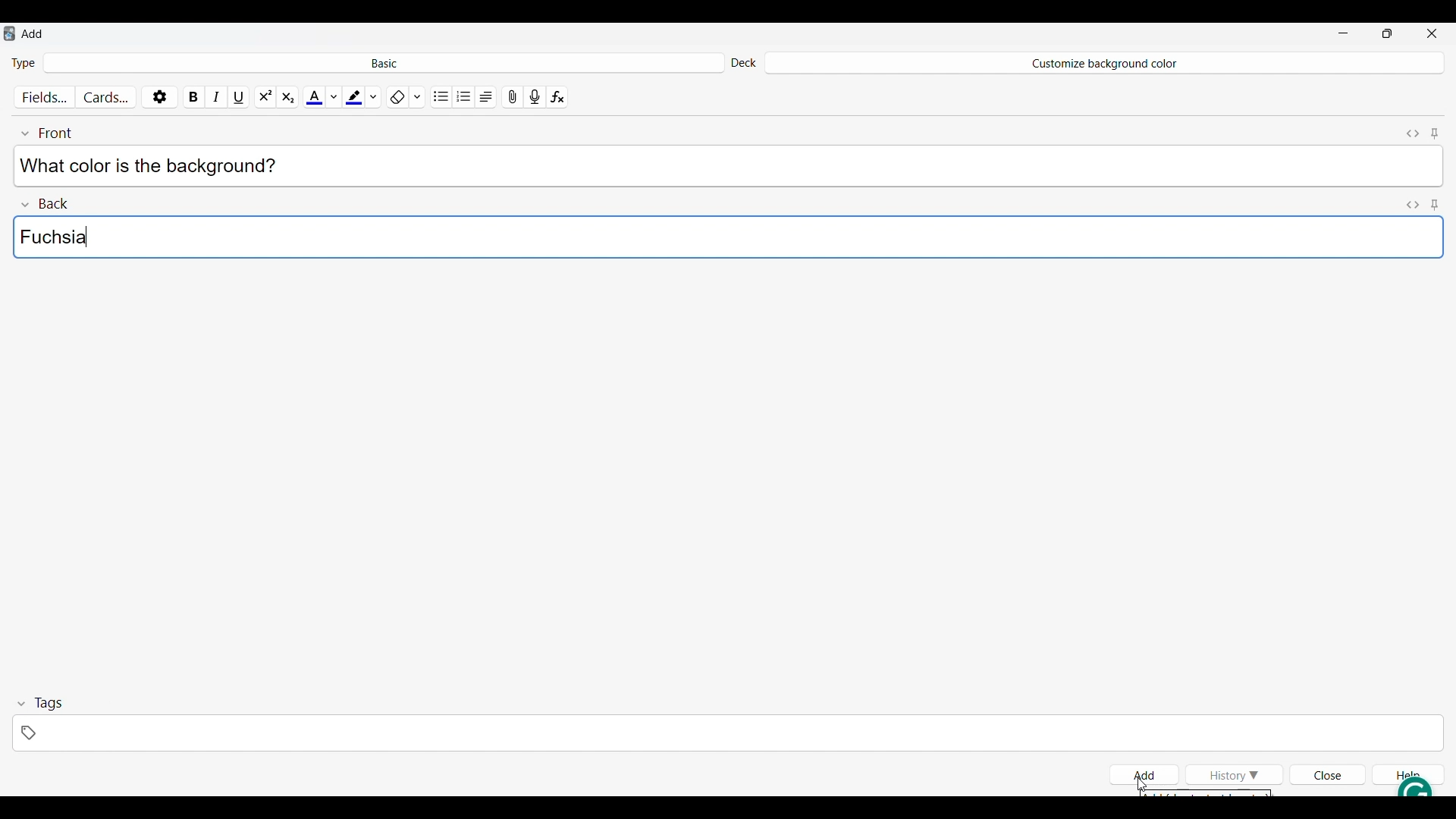 The height and width of the screenshot is (819, 1456). I want to click on Toggle sticky, so click(1434, 203).